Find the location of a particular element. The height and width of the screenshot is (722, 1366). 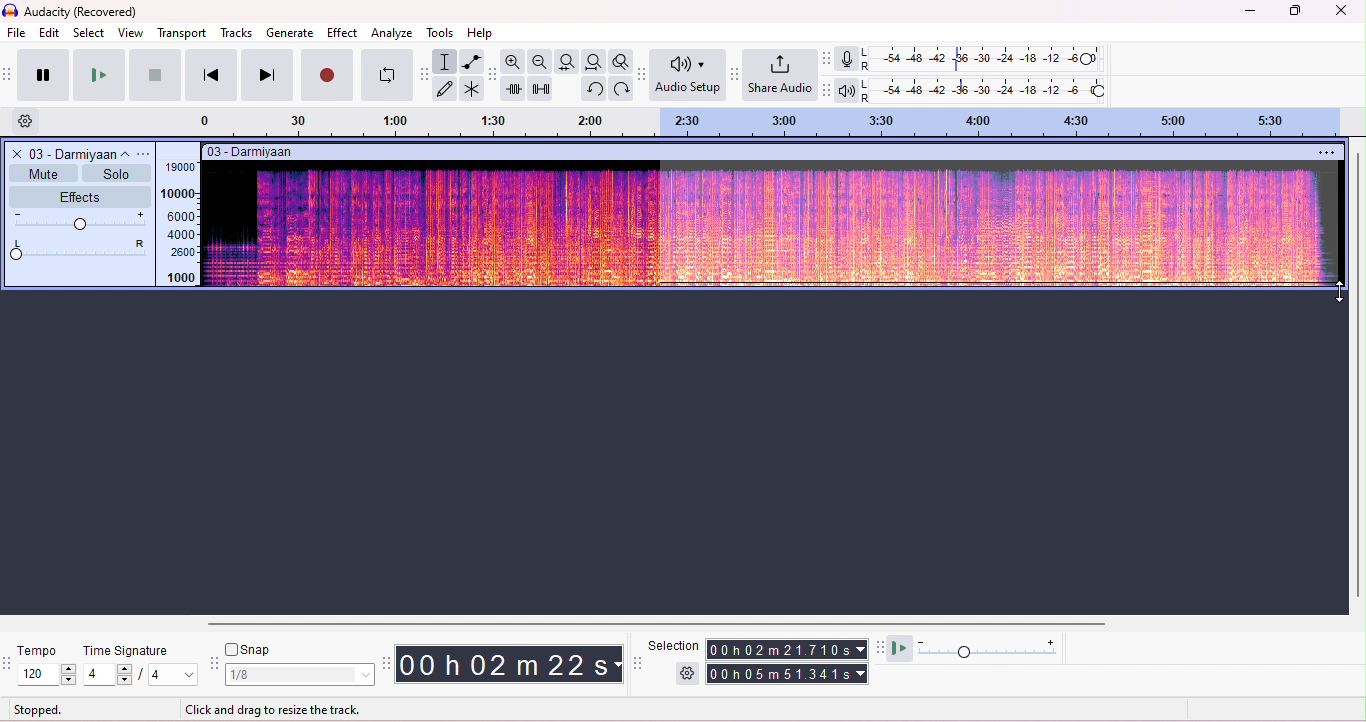

help is located at coordinates (482, 34).